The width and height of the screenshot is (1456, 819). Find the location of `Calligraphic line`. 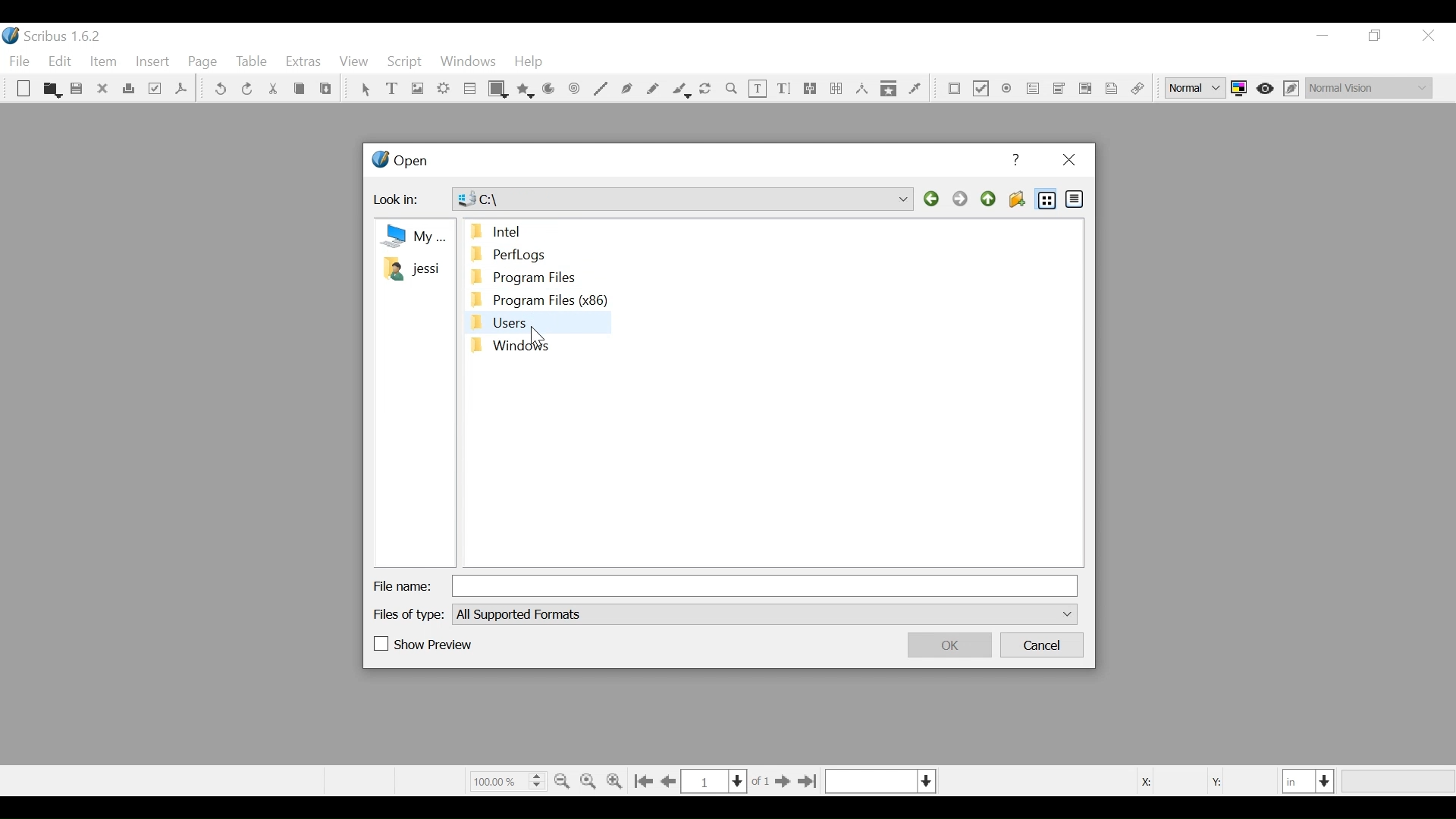

Calligraphic line is located at coordinates (680, 90).